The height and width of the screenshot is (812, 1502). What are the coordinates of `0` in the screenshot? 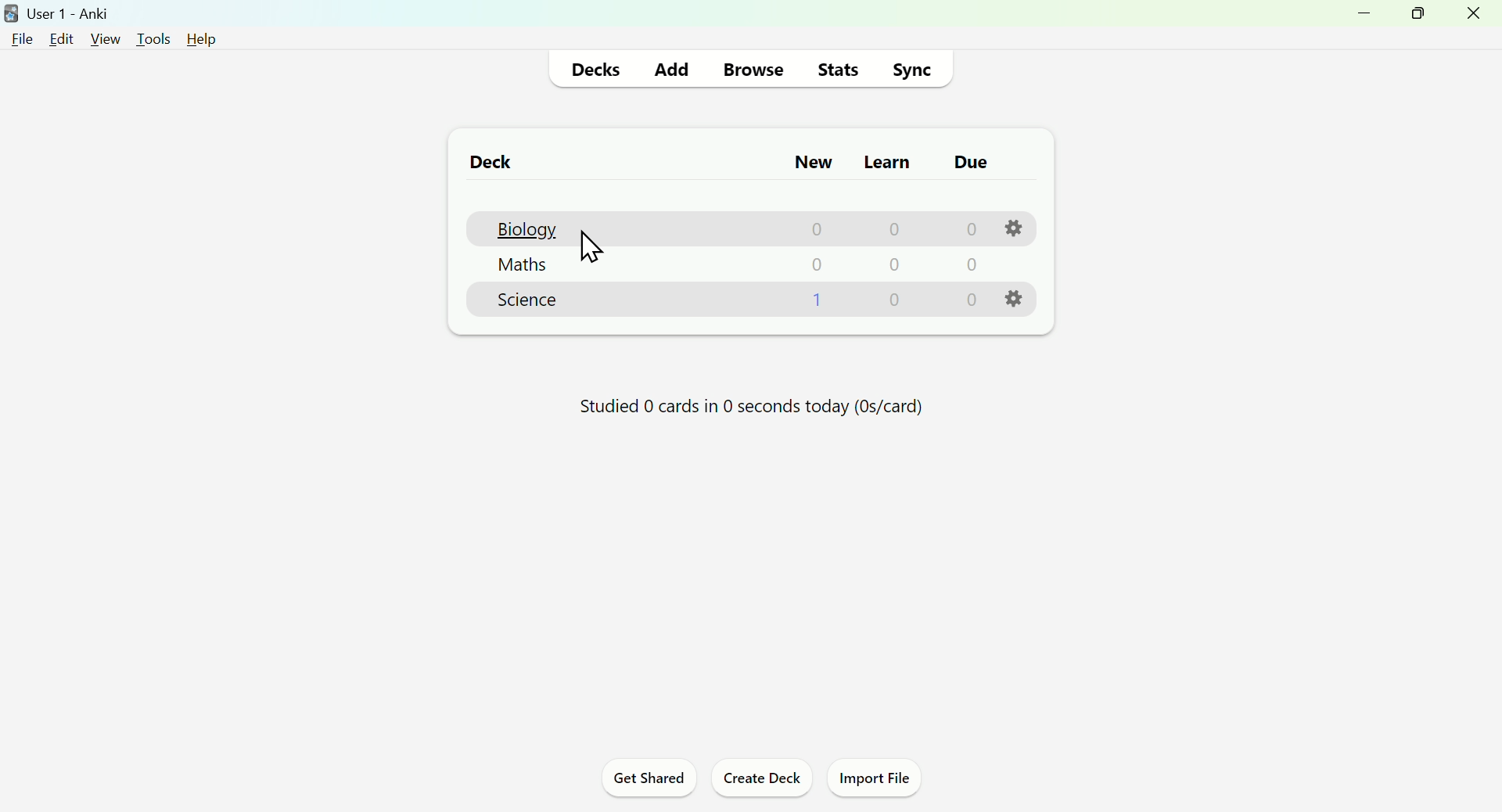 It's located at (893, 268).